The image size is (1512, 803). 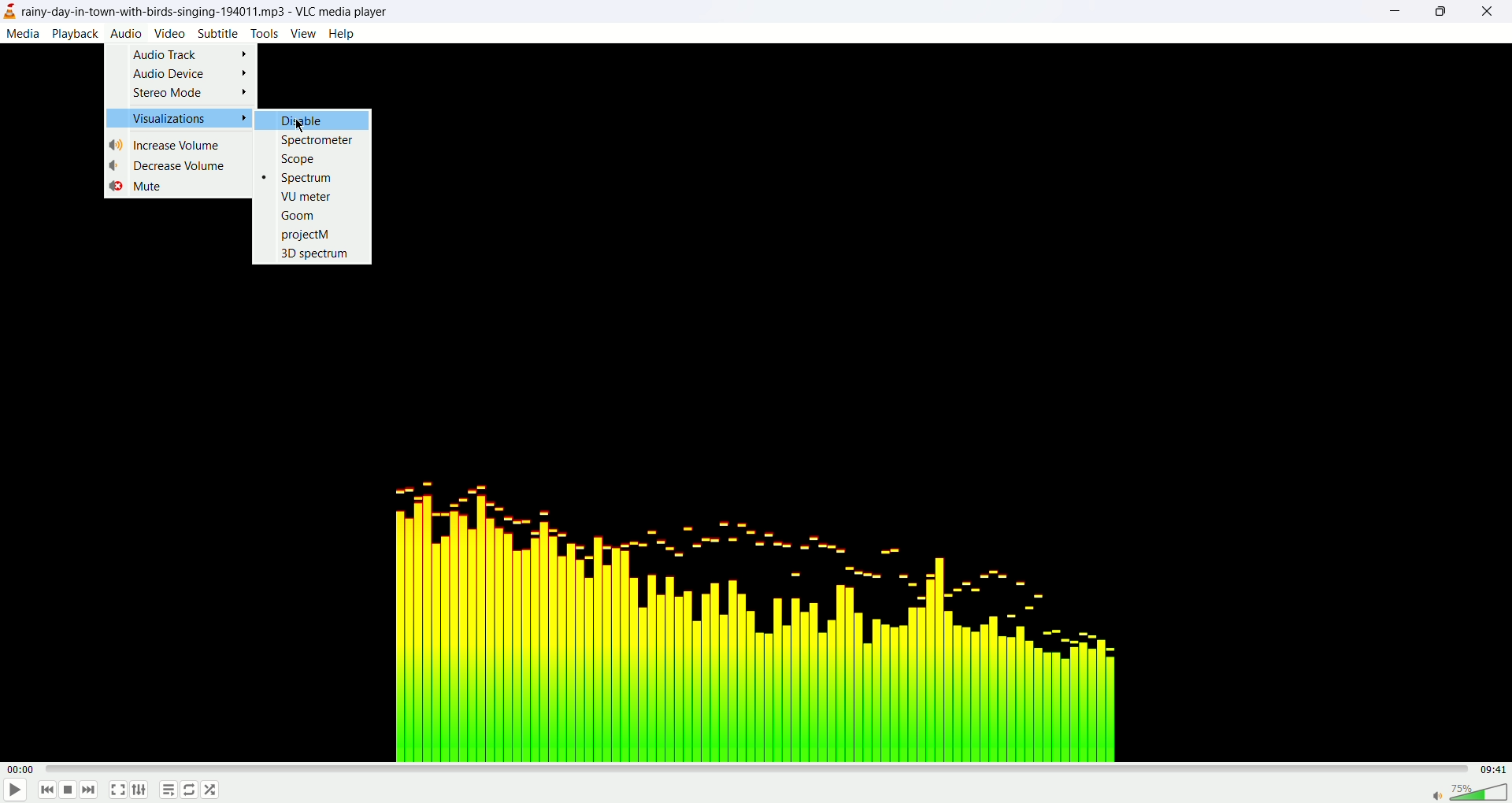 What do you see at coordinates (117, 791) in the screenshot?
I see `fullscreen` at bounding box center [117, 791].